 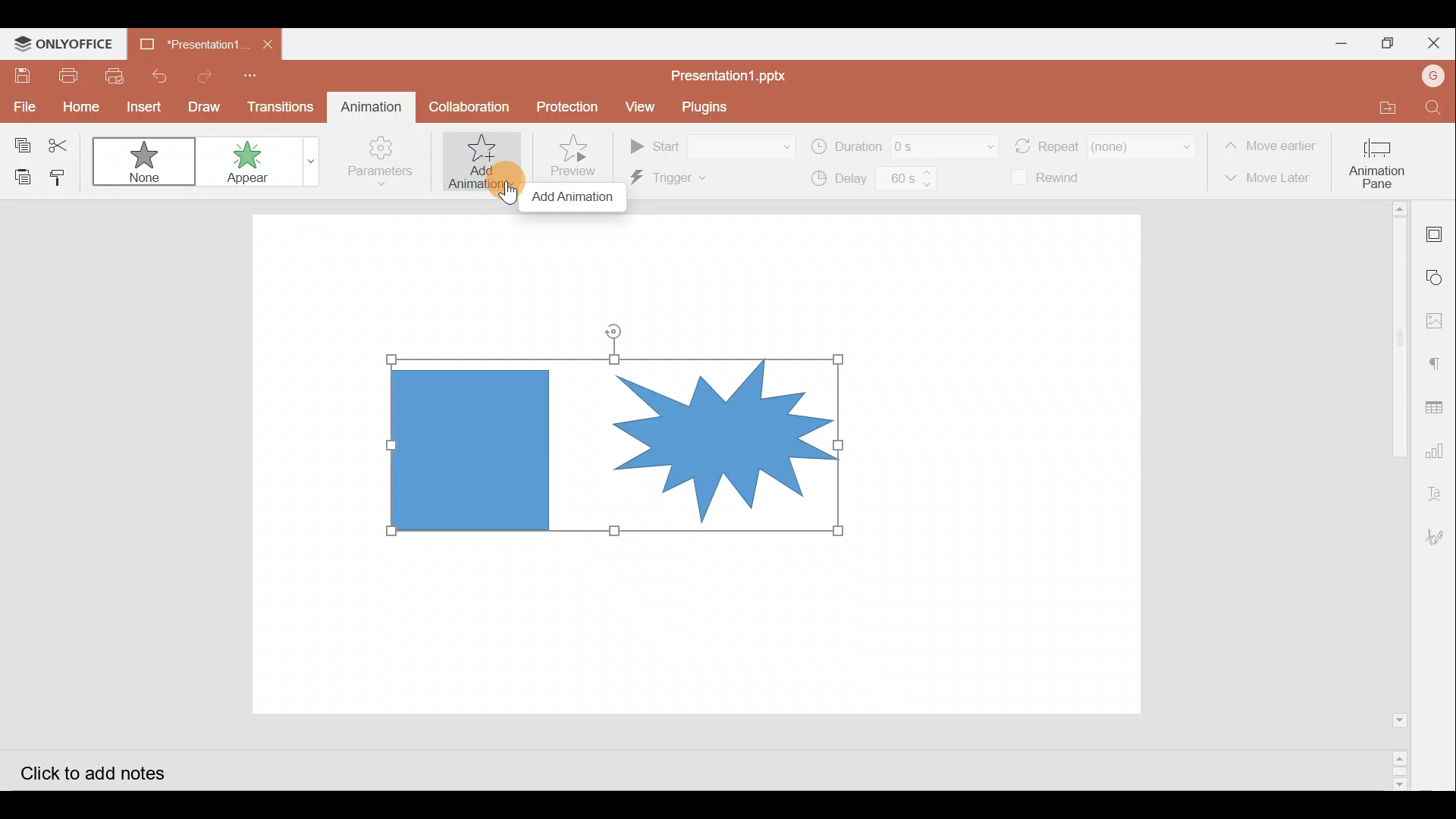 What do you see at coordinates (1438, 279) in the screenshot?
I see `Shapes settings` at bounding box center [1438, 279].